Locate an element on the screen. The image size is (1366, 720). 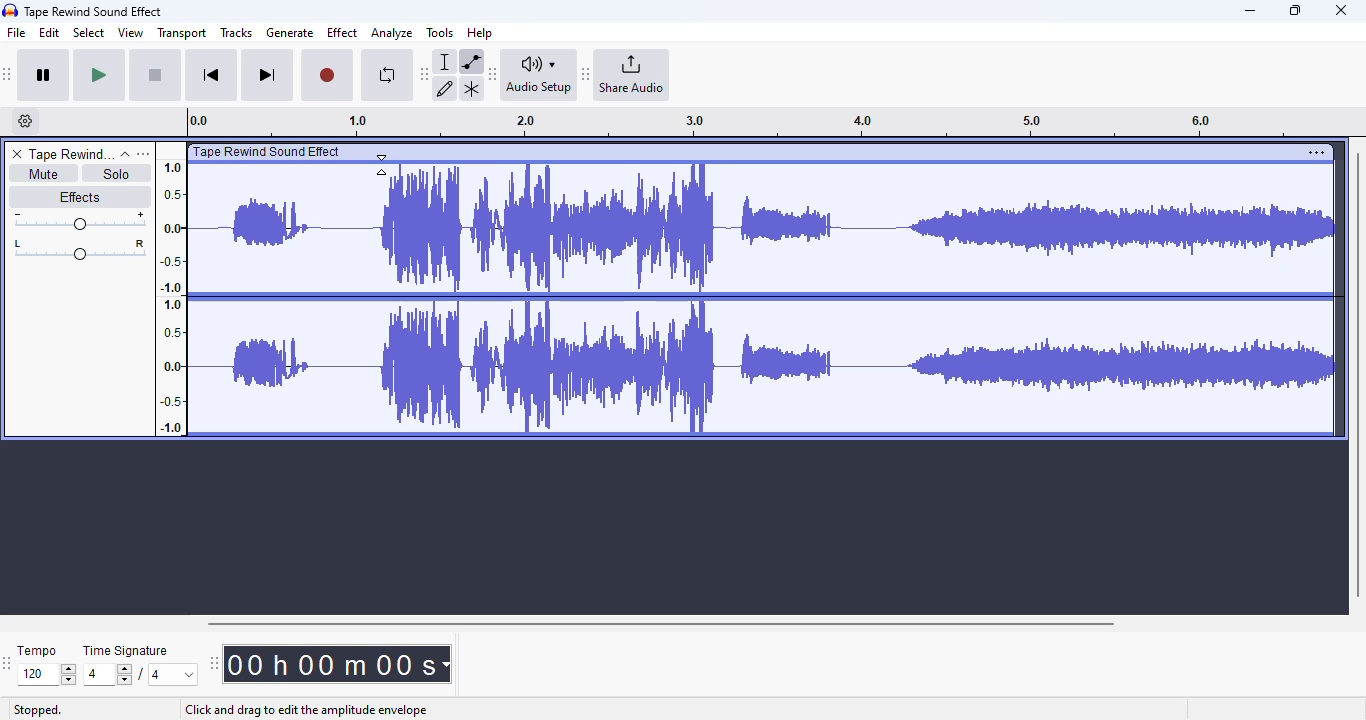
Max. time signature options is located at coordinates (174, 674).